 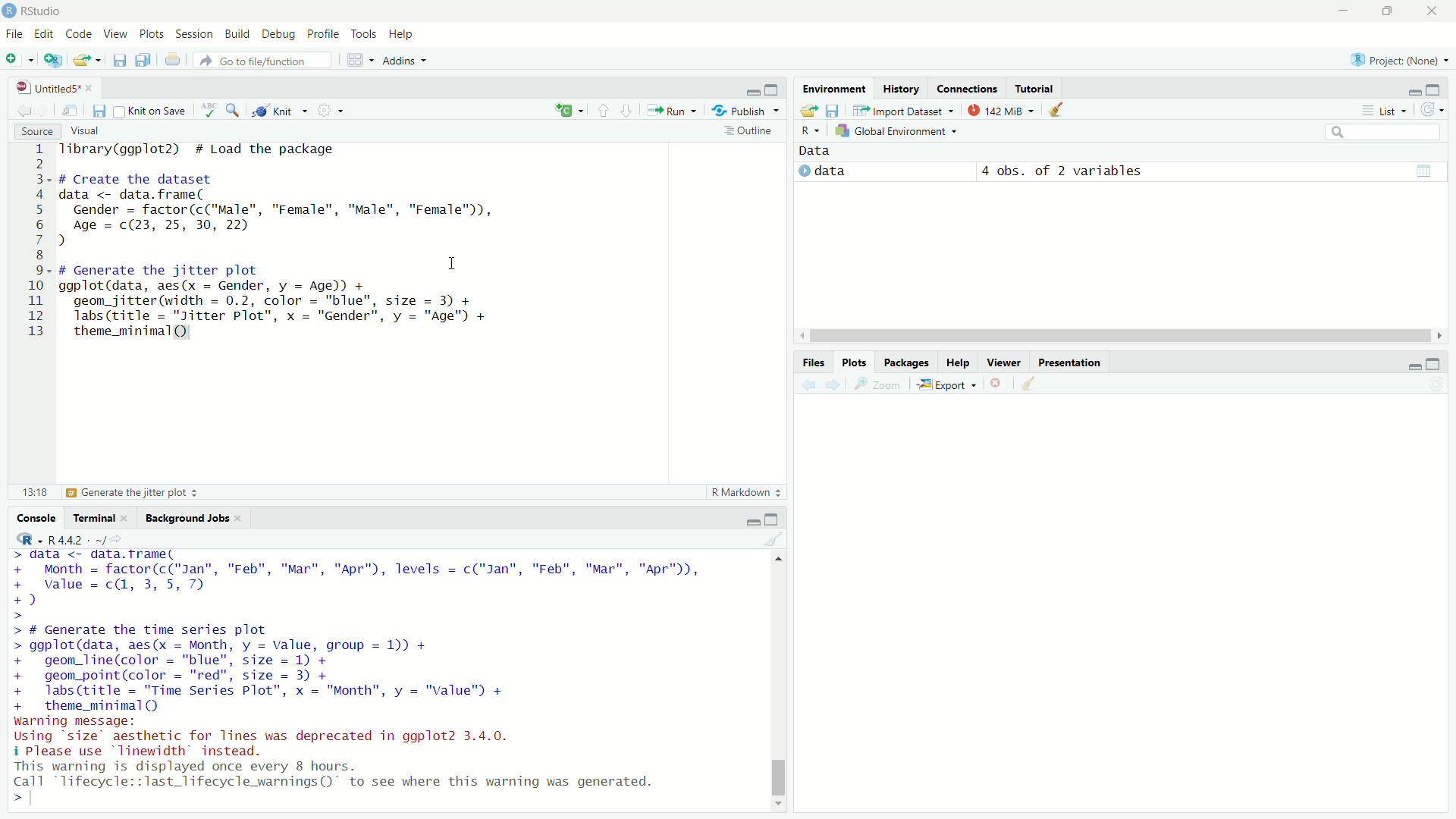 I want to click on month data, so click(x=358, y=577).